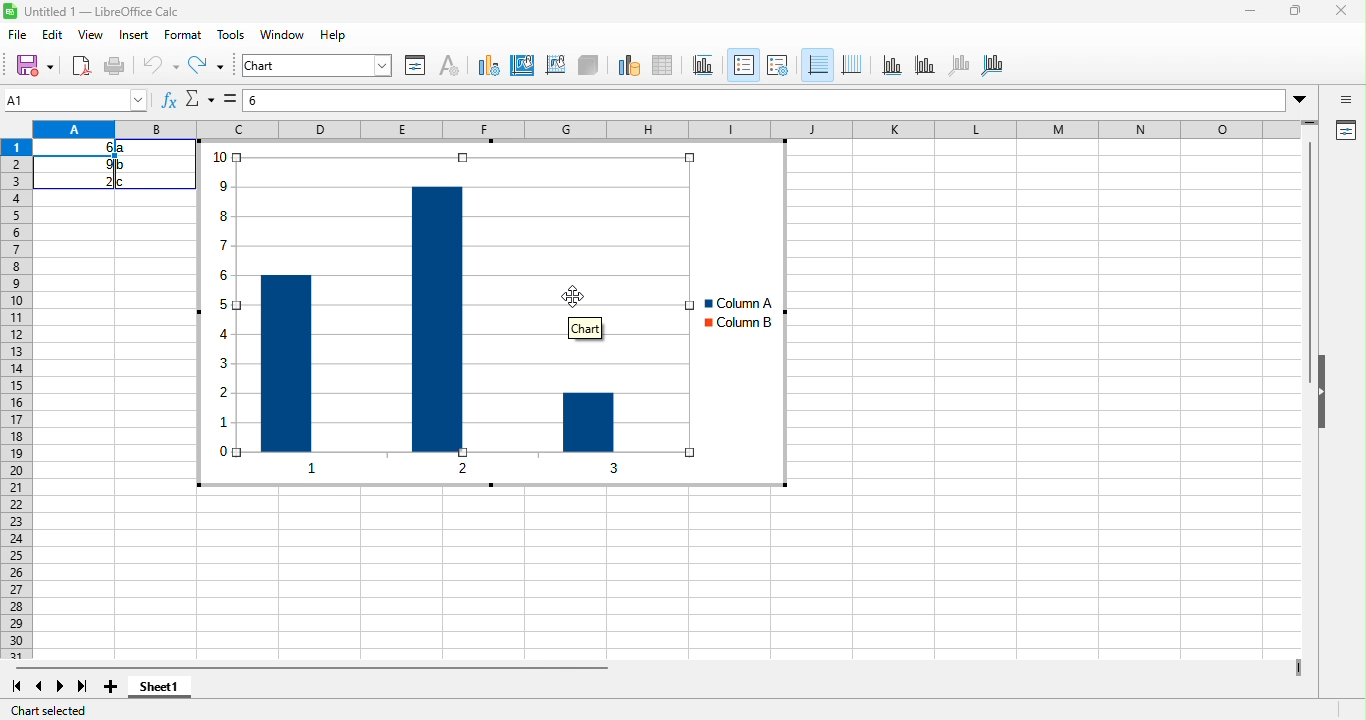 The image size is (1366, 720). Describe the element at coordinates (115, 66) in the screenshot. I see `print` at that location.